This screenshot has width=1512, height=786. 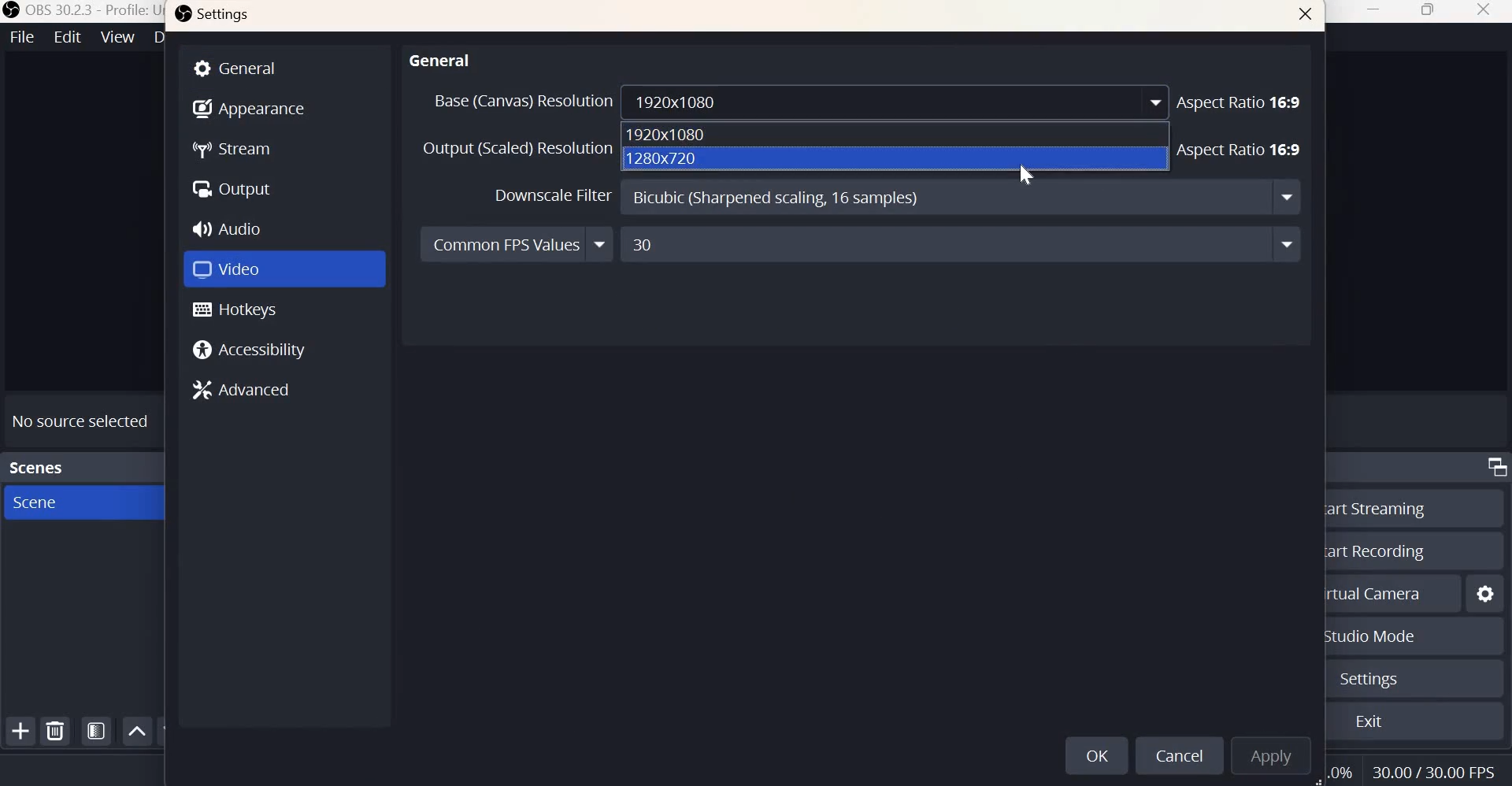 What do you see at coordinates (139, 732) in the screenshot?
I see `Move scene up` at bounding box center [139, 732].